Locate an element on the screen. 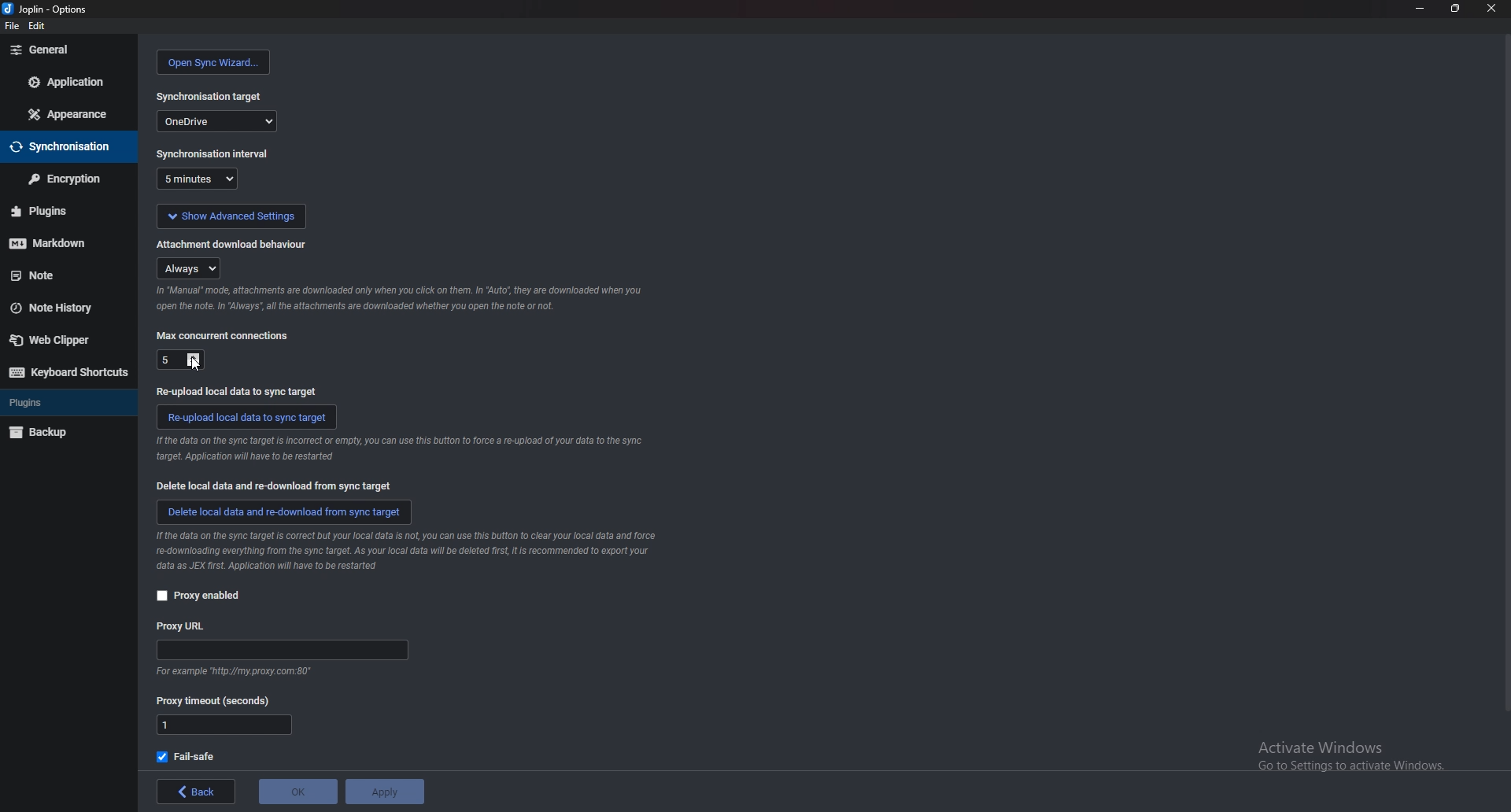  info is located at coordinates (407, 552).